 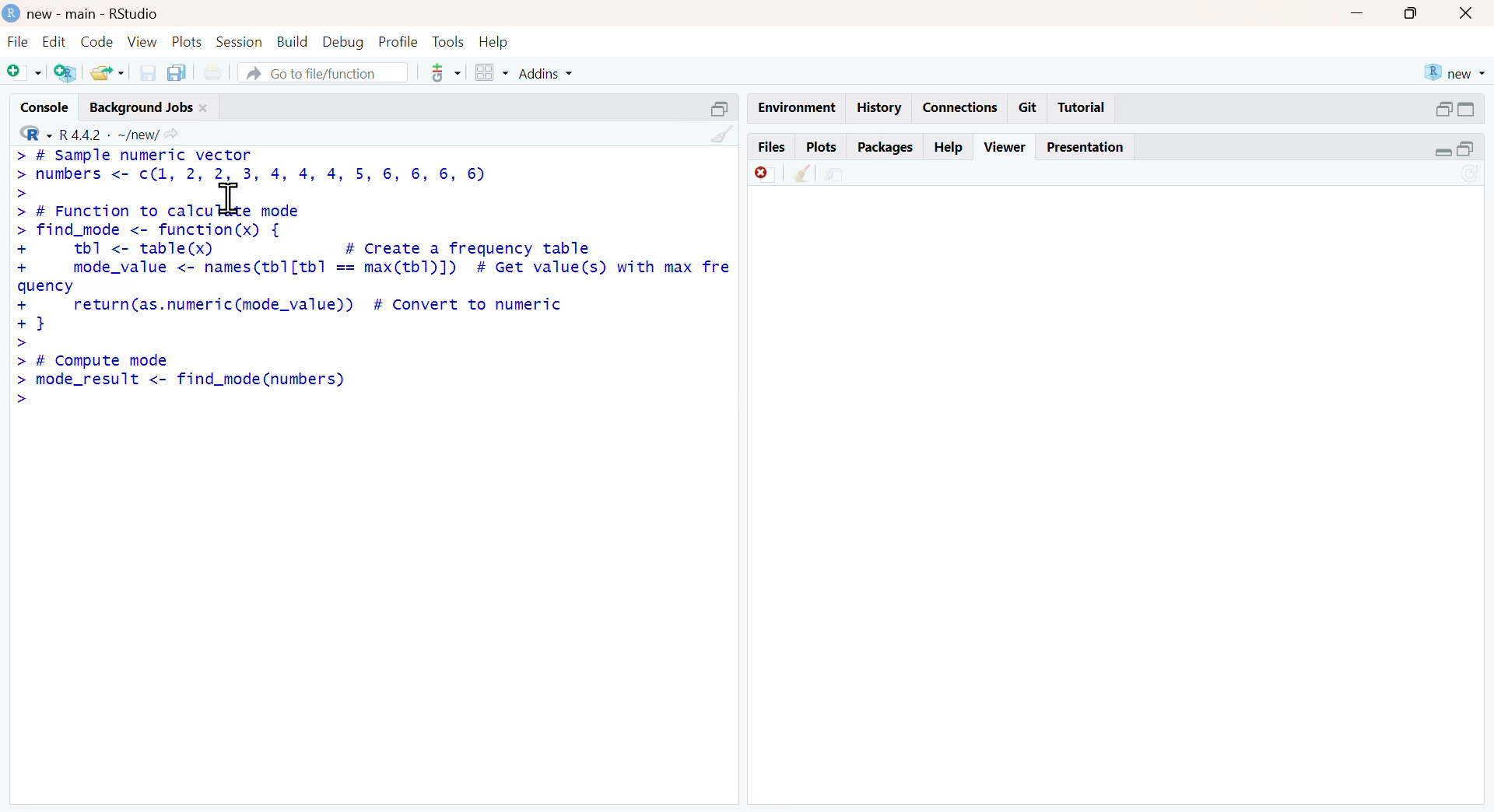 I want to click on console, so click(x=44, y=107).